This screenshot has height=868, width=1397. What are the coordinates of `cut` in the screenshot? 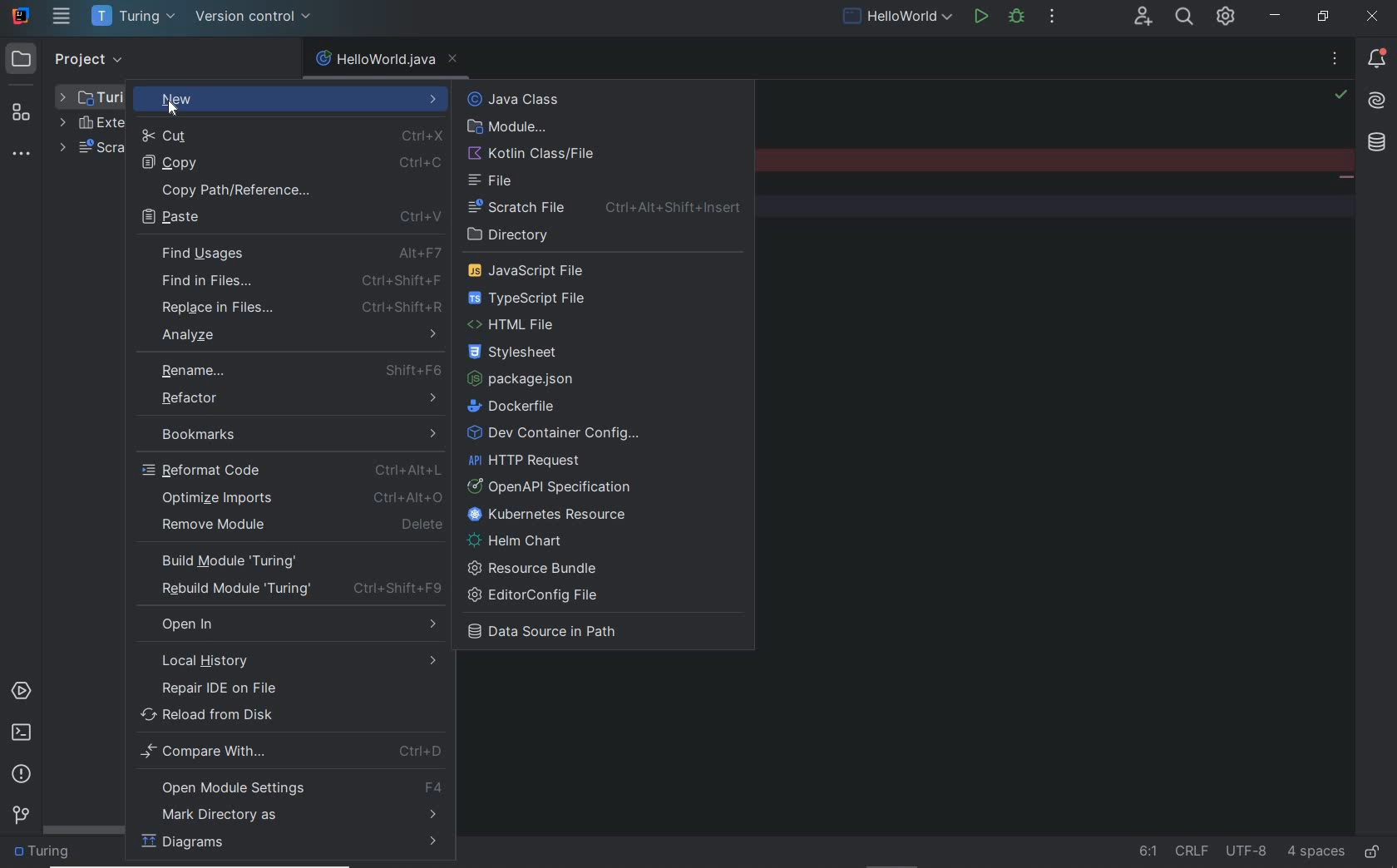 It's located at (289, 136).